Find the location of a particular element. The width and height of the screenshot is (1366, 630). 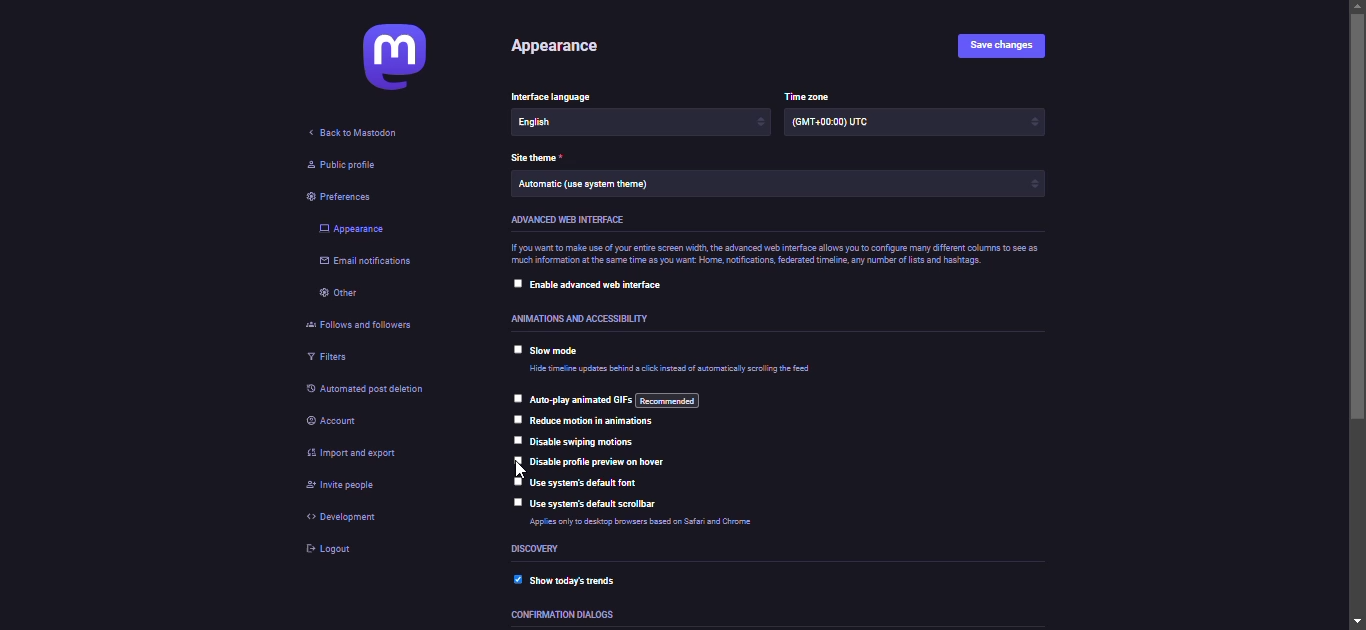

save changes is located at coordinates (997, 45).